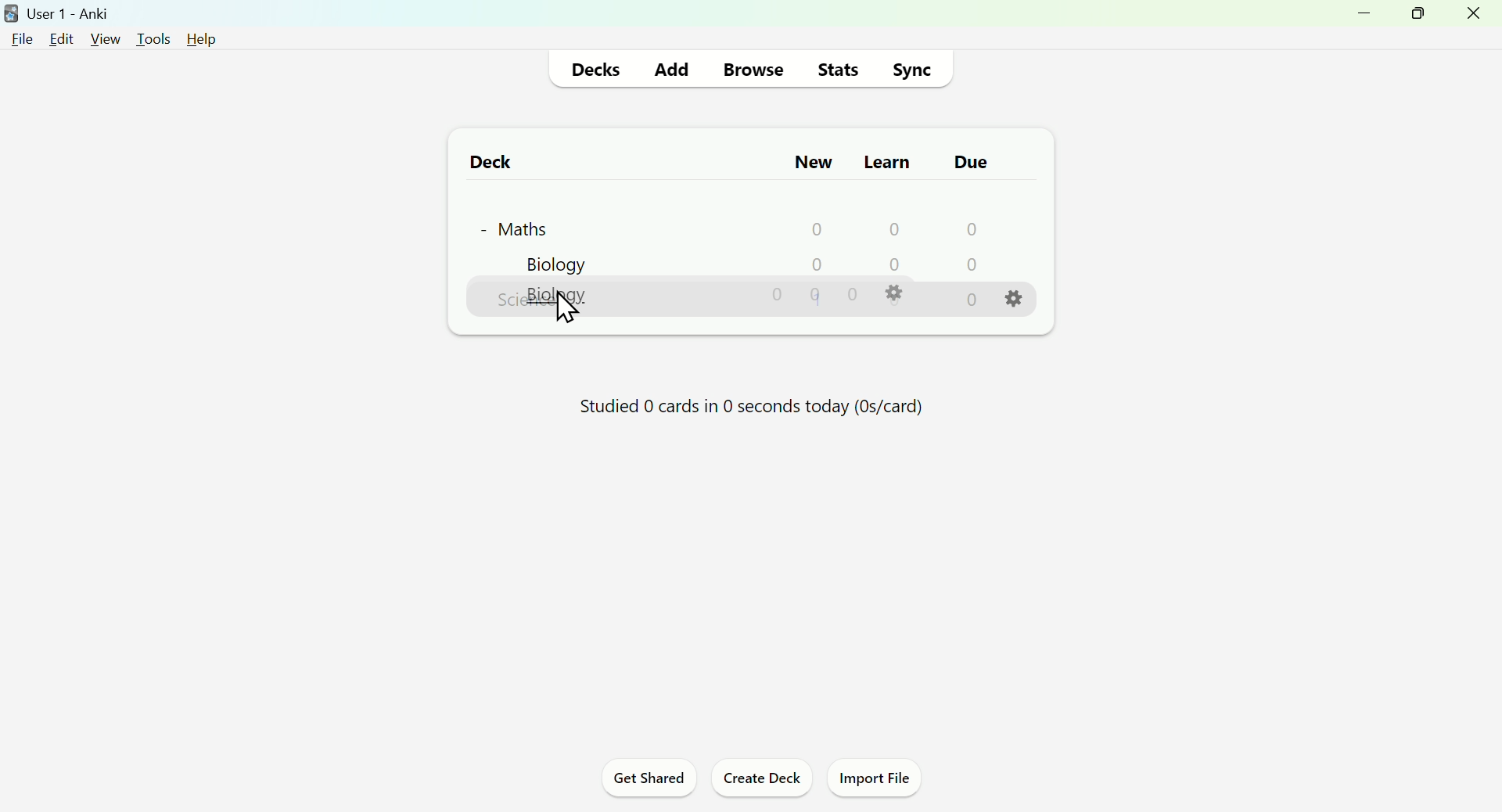 This screenshot has width=1502, height=812. What do you see at coordinates (1474, 16) in the screenshot?
I see `close` at bounding box center [1474, 16].